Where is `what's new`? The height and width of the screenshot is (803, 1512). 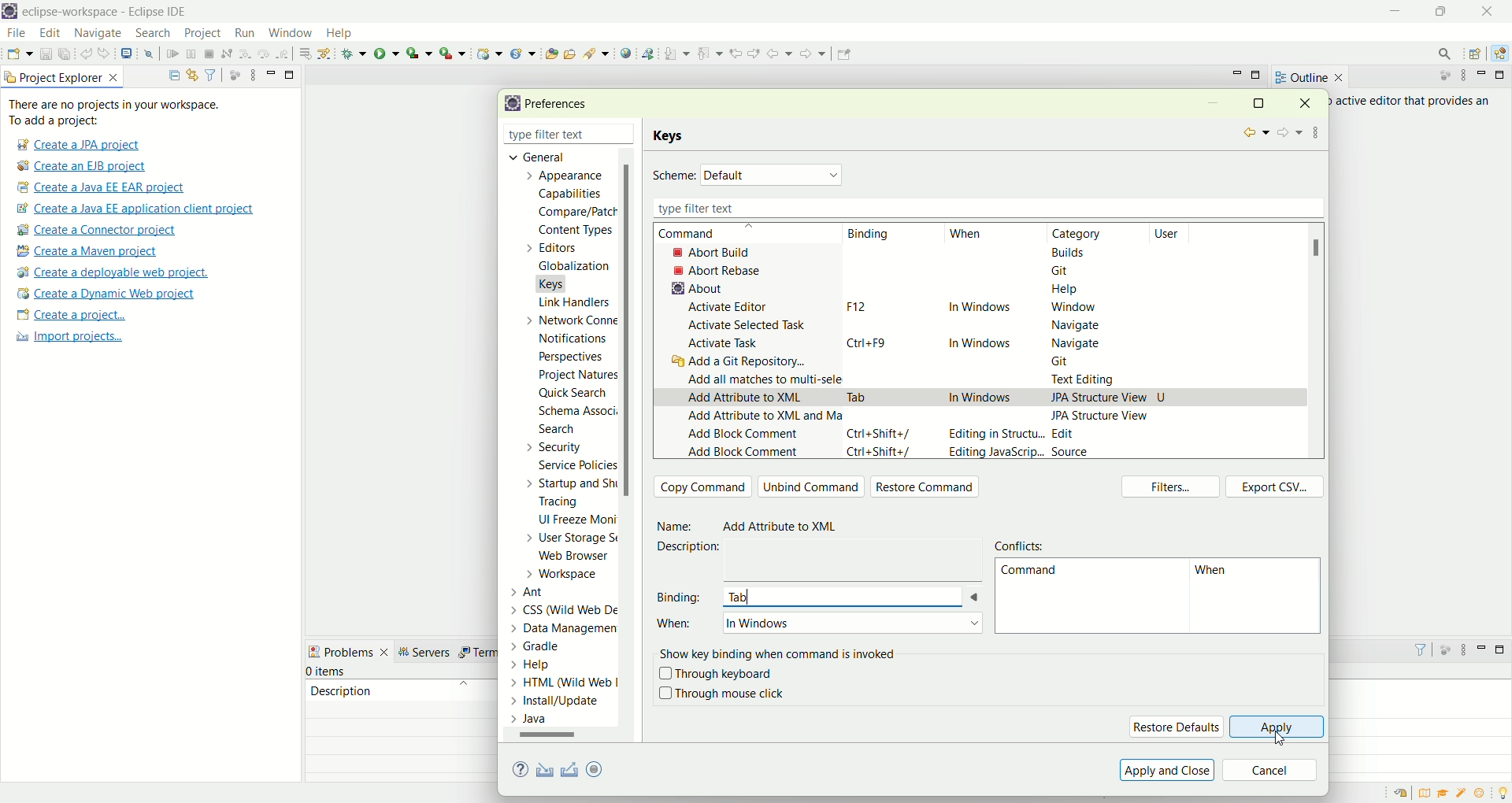 what's new is located at coordinates (1484, 794).